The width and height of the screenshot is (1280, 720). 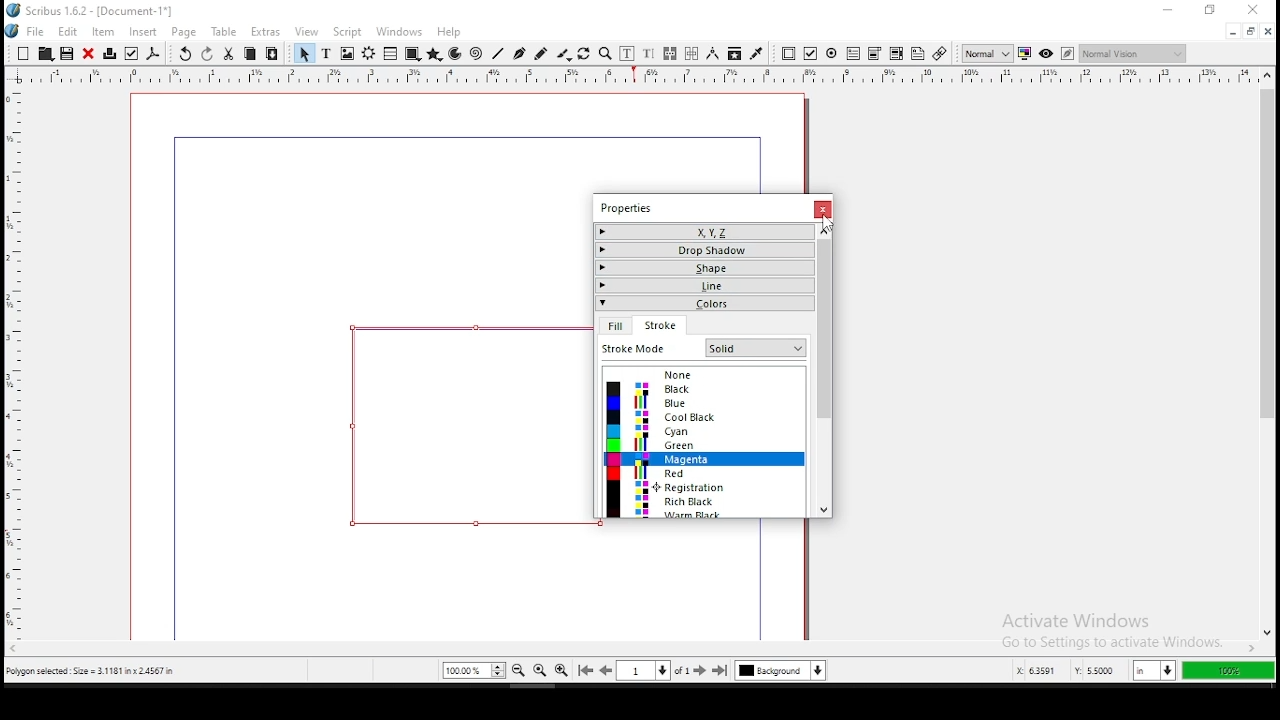 What do you see at coordinates (722, 671) in the screenshot?
I see `go to last page` at bounding box center [722, 671].